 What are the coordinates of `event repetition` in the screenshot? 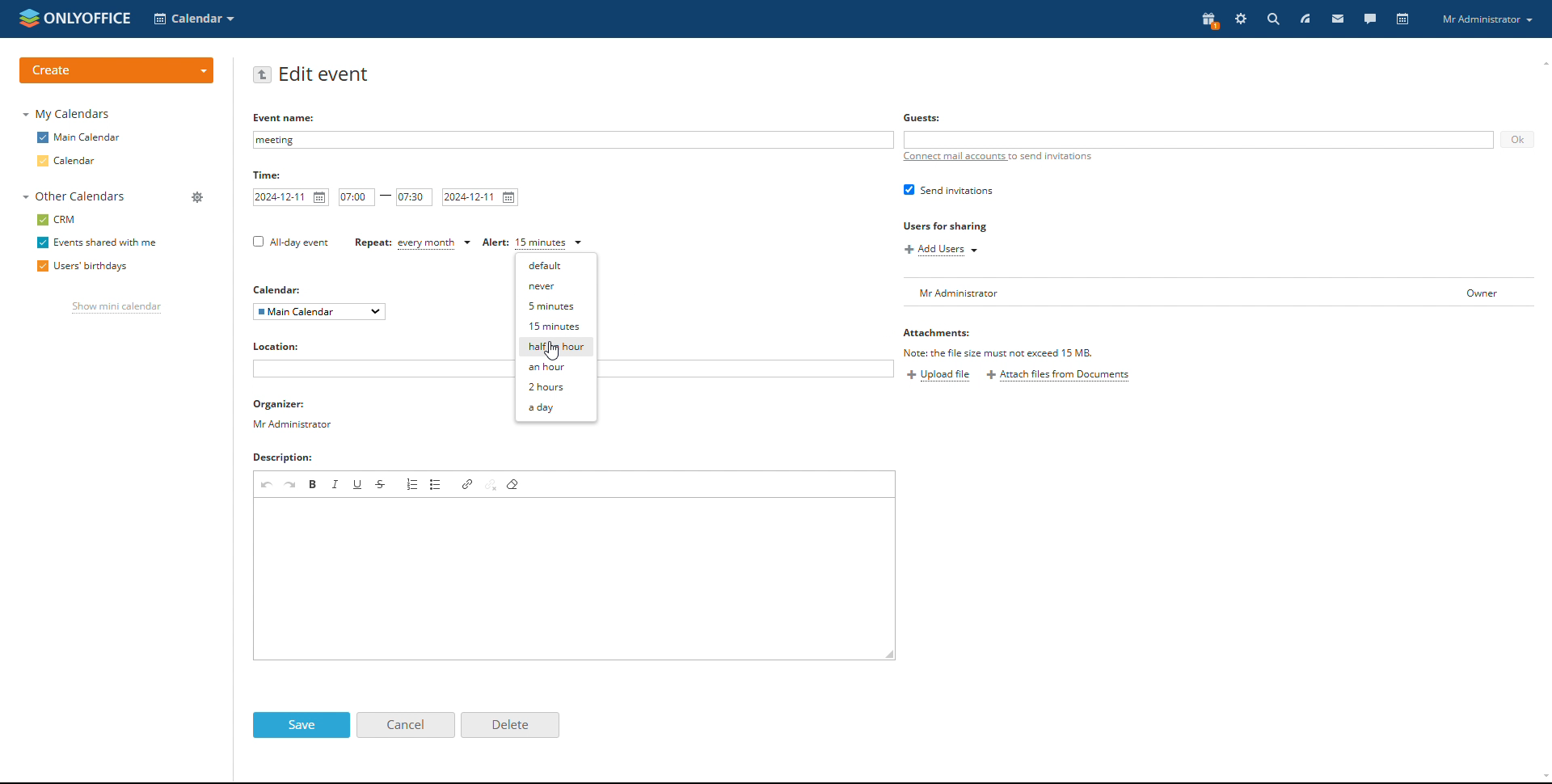 It's located at (414, 244).